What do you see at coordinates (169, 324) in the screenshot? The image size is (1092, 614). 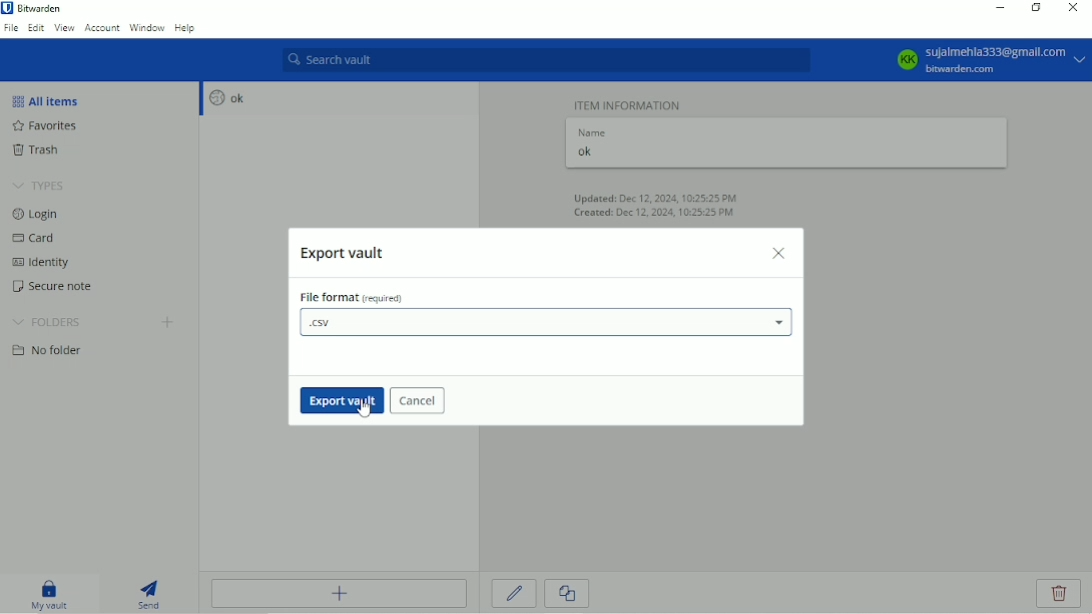 I see `Create folder` at bounding box center [169, 324].